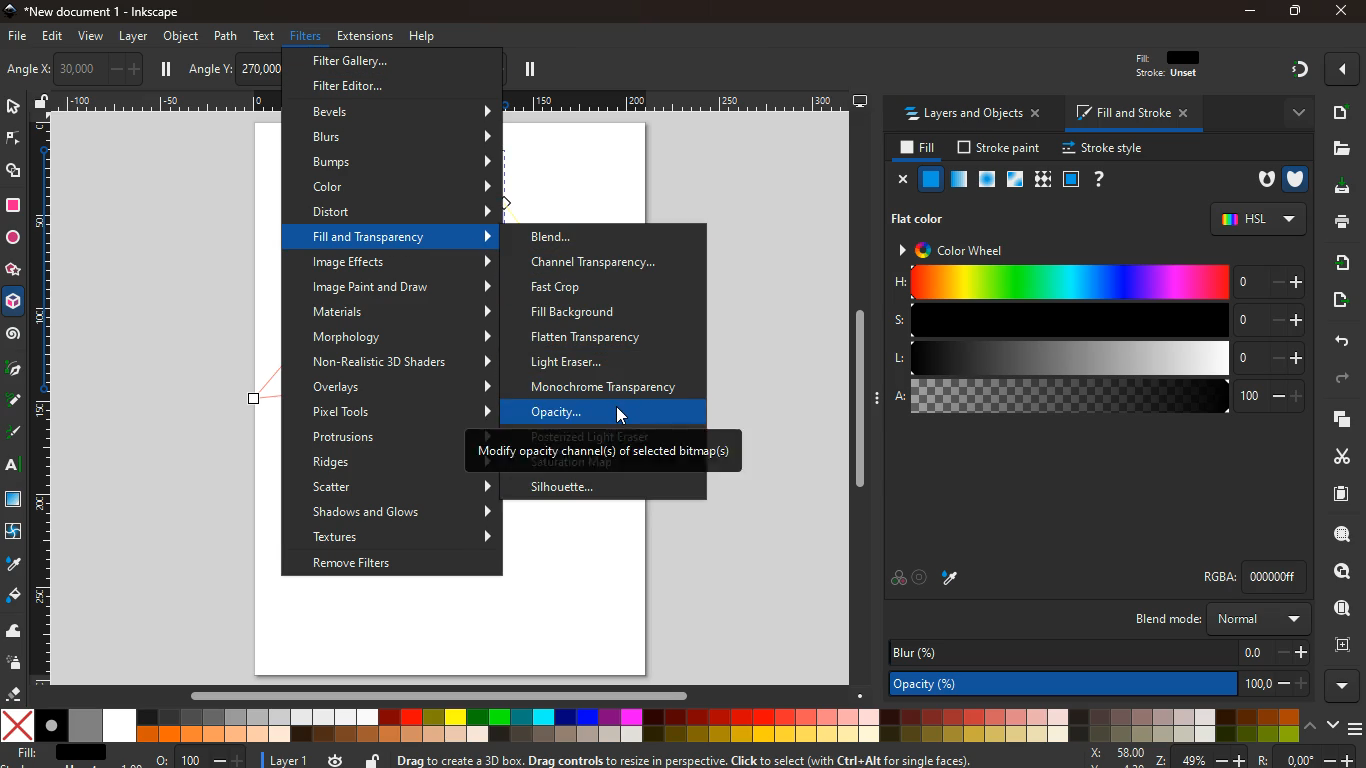  What do you see at coordinates (915, 148) in the screenshot?
I see `fill` at bounding box center [915, 148].